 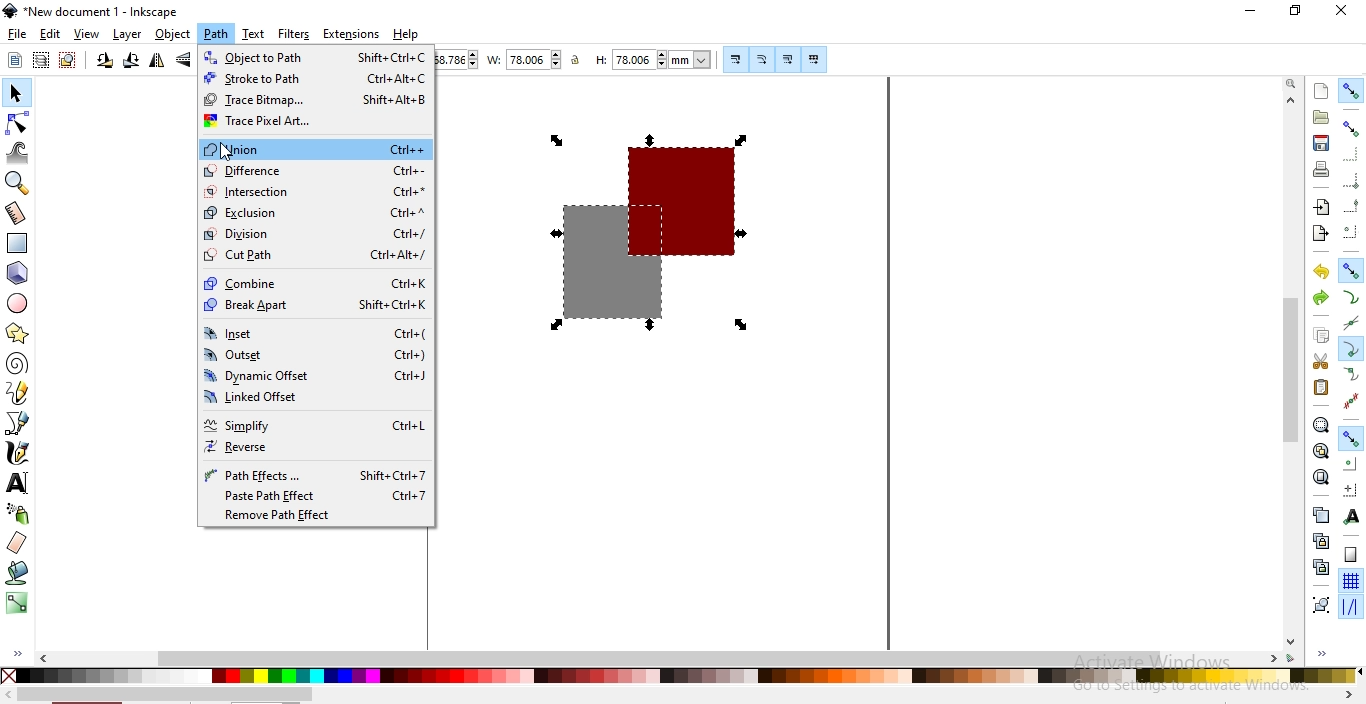 I want to click on create spiral, so click(x=16, y=362).